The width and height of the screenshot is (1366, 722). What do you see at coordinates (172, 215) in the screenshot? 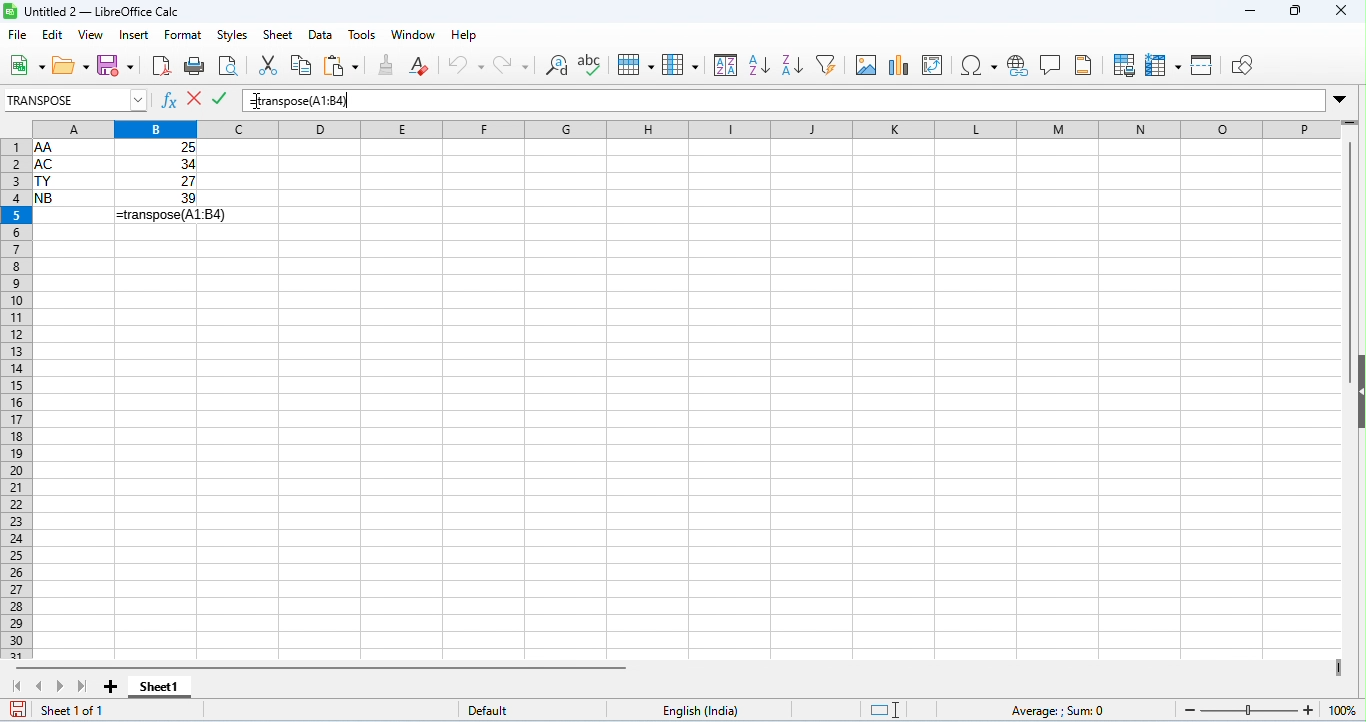
I see `formula for transpose appeared` at bounding box center [172, 215].